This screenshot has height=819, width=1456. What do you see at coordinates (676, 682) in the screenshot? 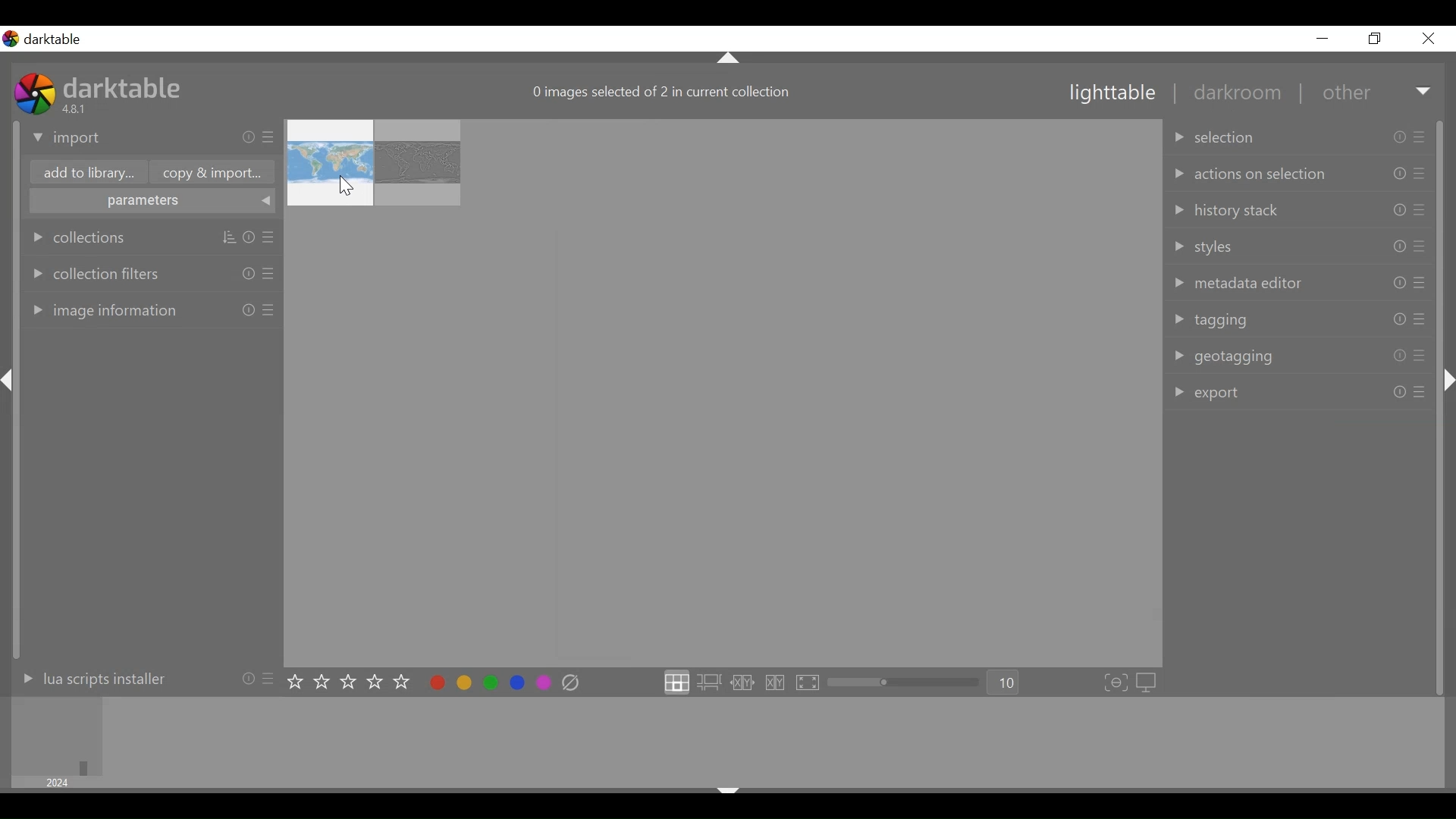
I see `click to enter file manager layout` at bounding box center [676, 682].